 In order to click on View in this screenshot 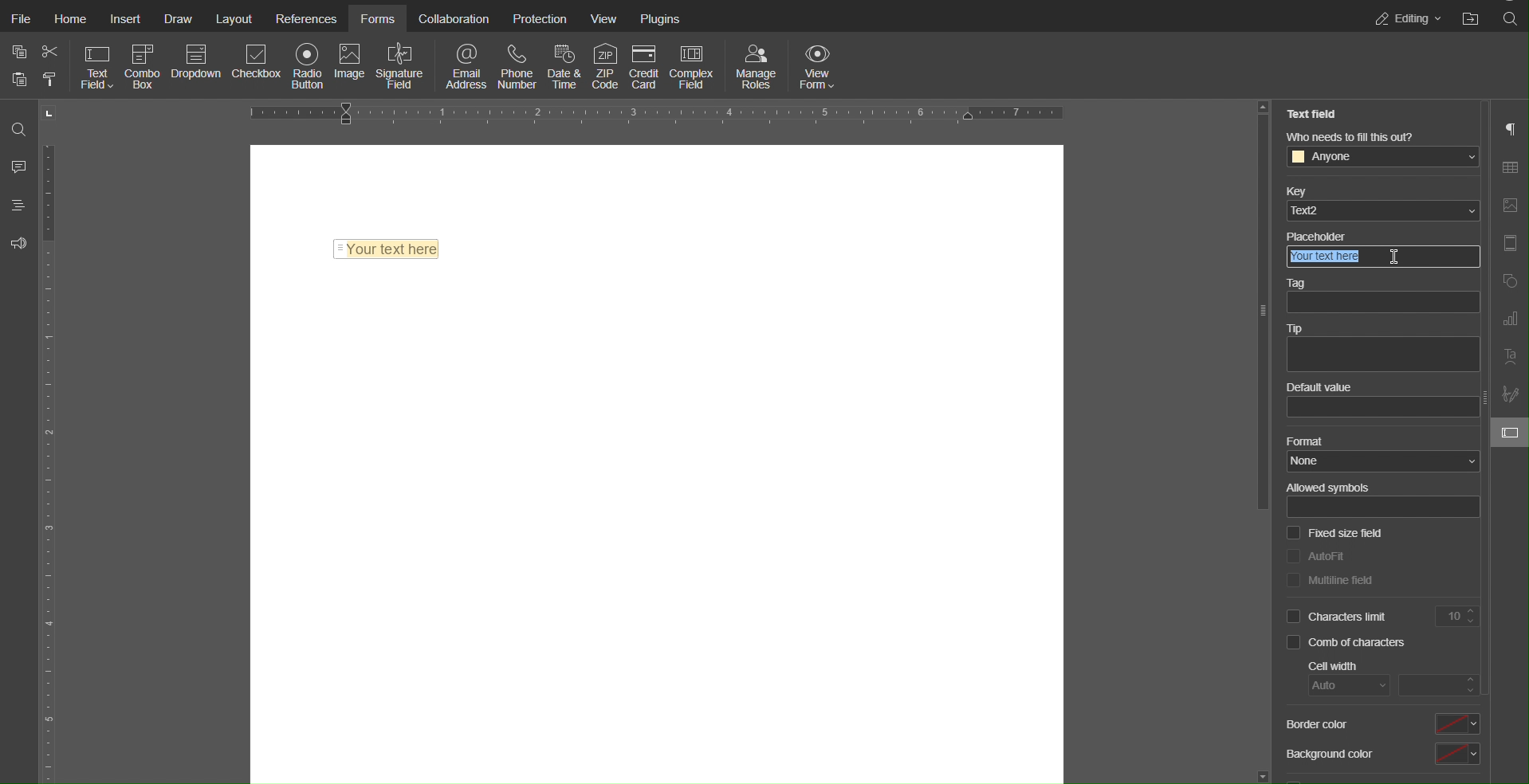, I will do `click(605, 19)`.